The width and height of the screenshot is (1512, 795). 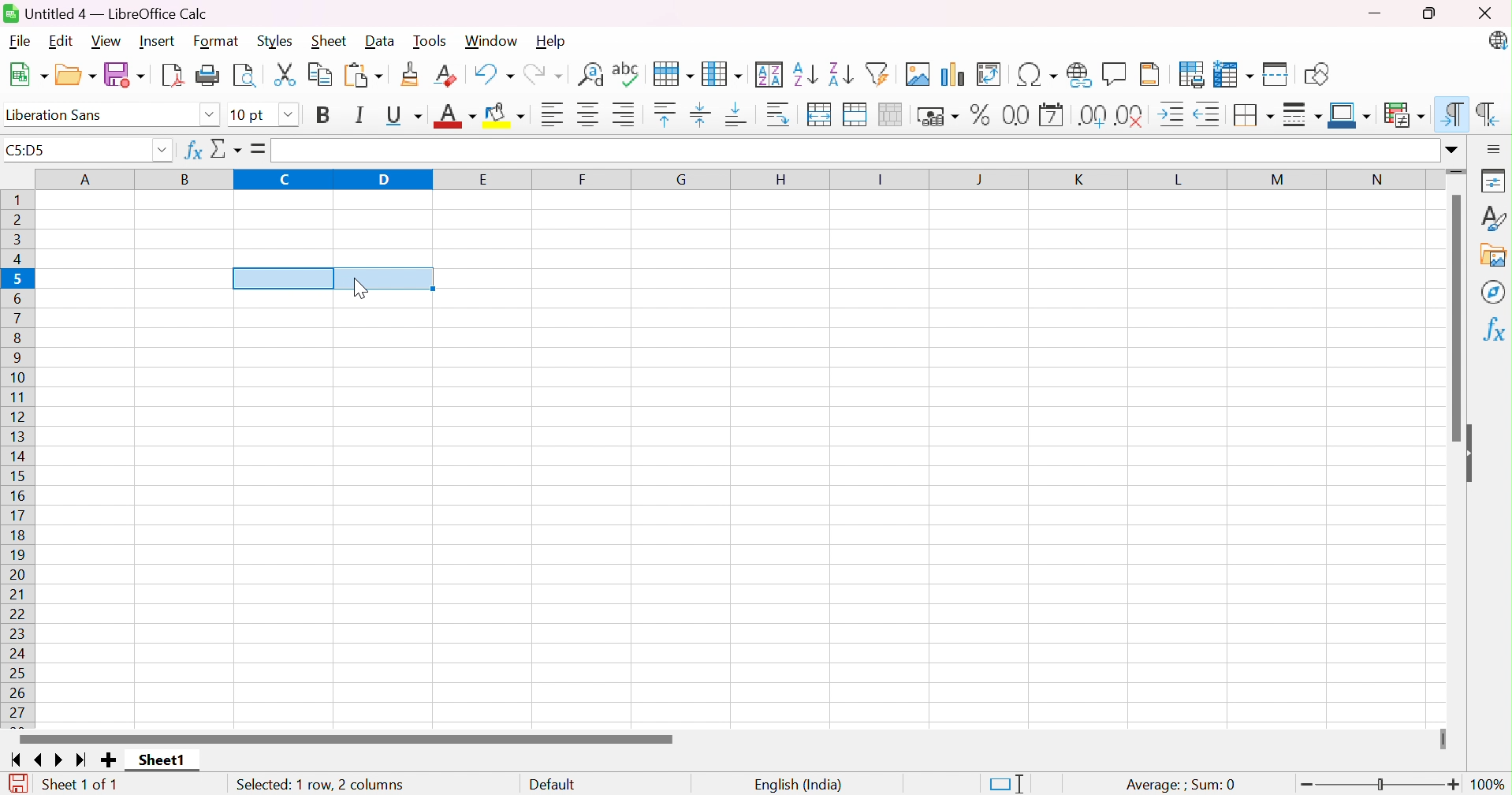 What do you see at coordinates (210, 74) in the screenshot?
I see `Print` at bounding box center [210, 74].